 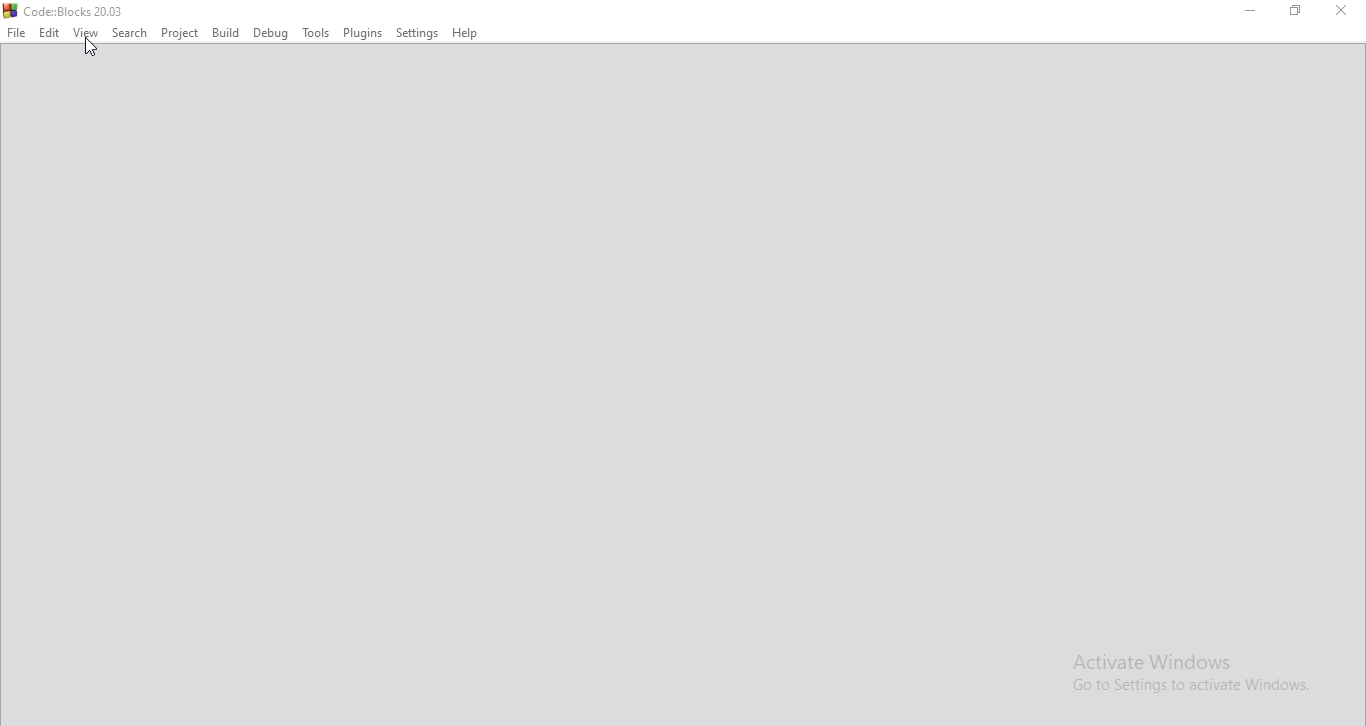 I want to click on View , so click(x=84, y=34).